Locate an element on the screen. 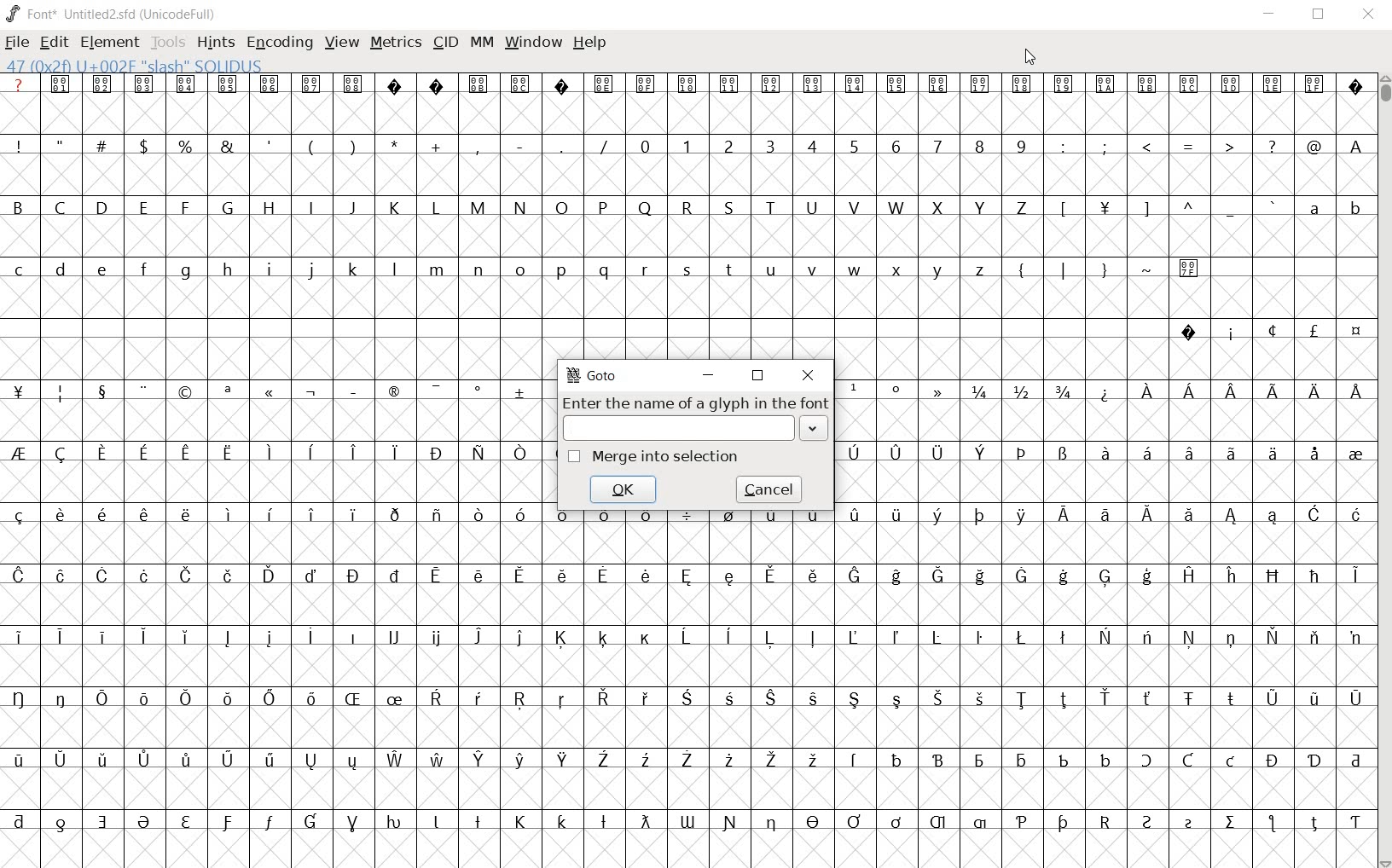  GoTo is located at coordinates (593, 376).